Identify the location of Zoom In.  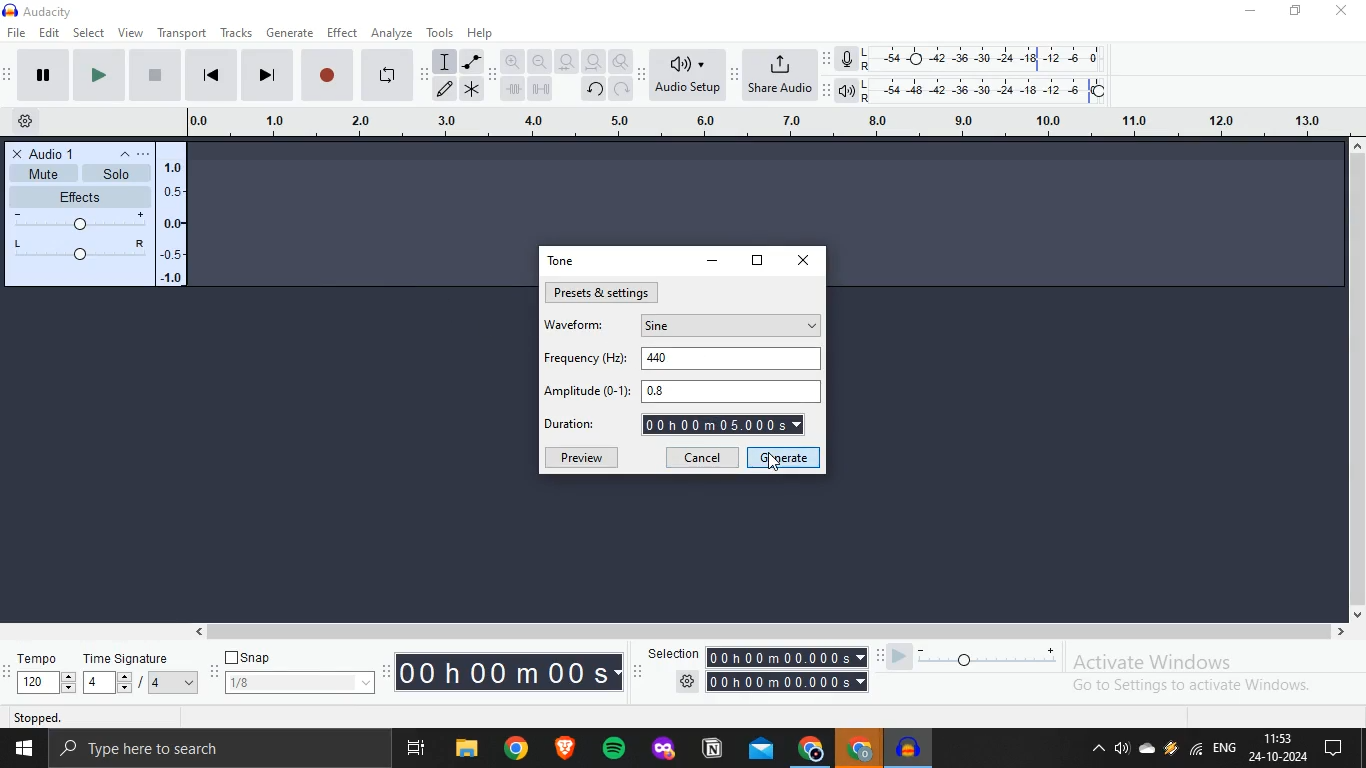
(511, 61).